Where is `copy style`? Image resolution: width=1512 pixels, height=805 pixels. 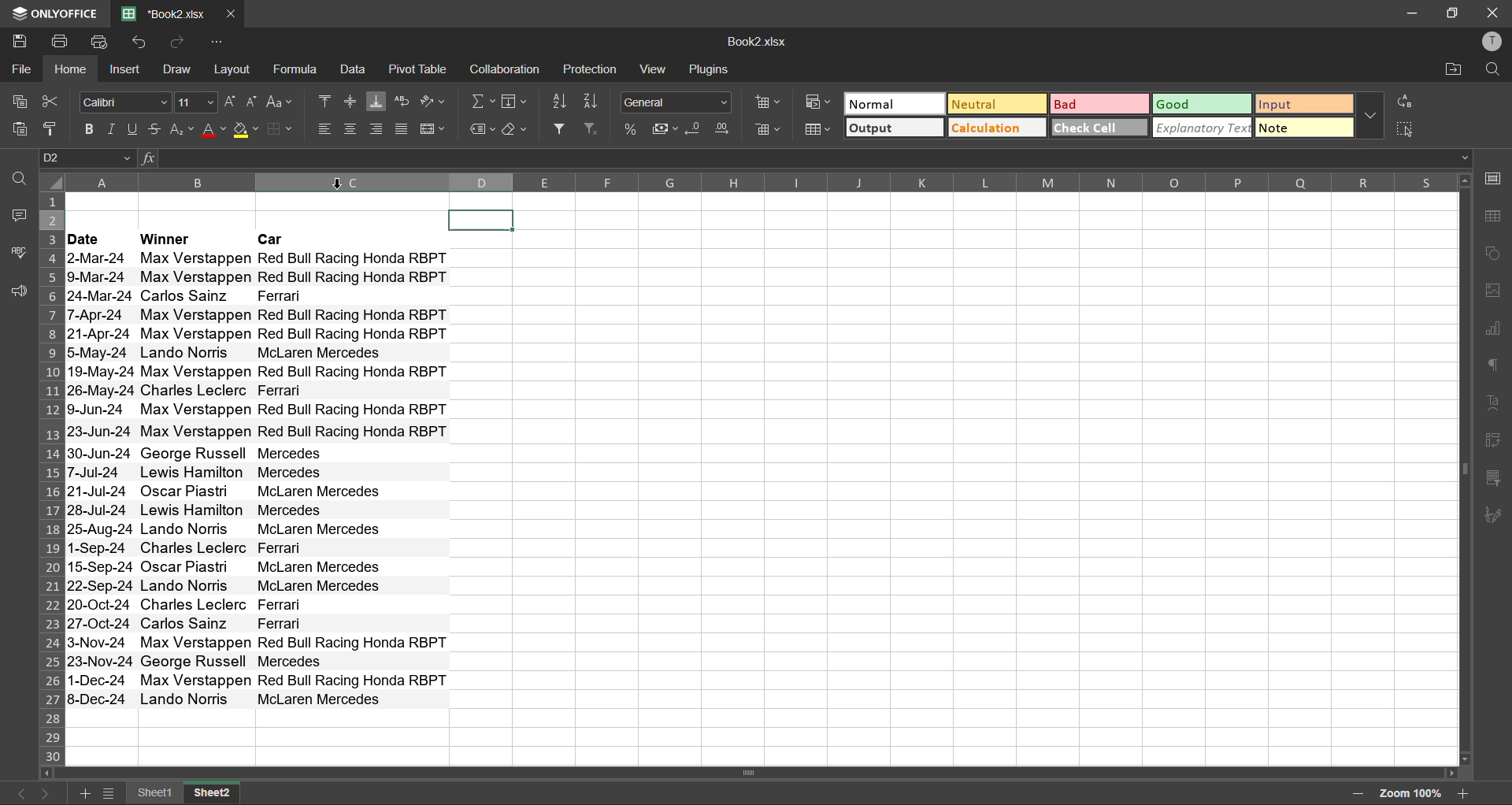 copy style is located at coordinates (56, 130).